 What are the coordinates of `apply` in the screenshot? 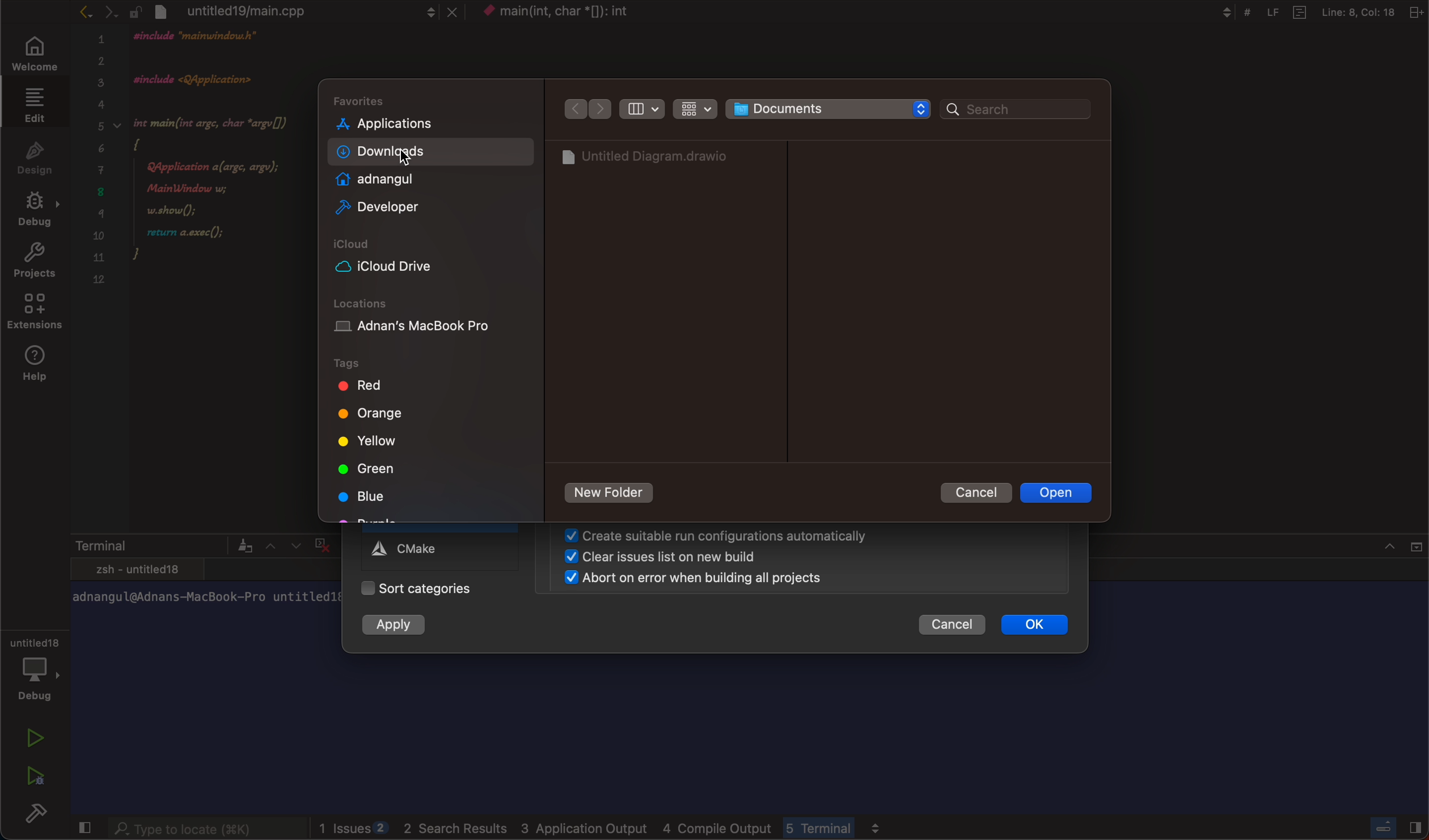 It's located at (404, 625).